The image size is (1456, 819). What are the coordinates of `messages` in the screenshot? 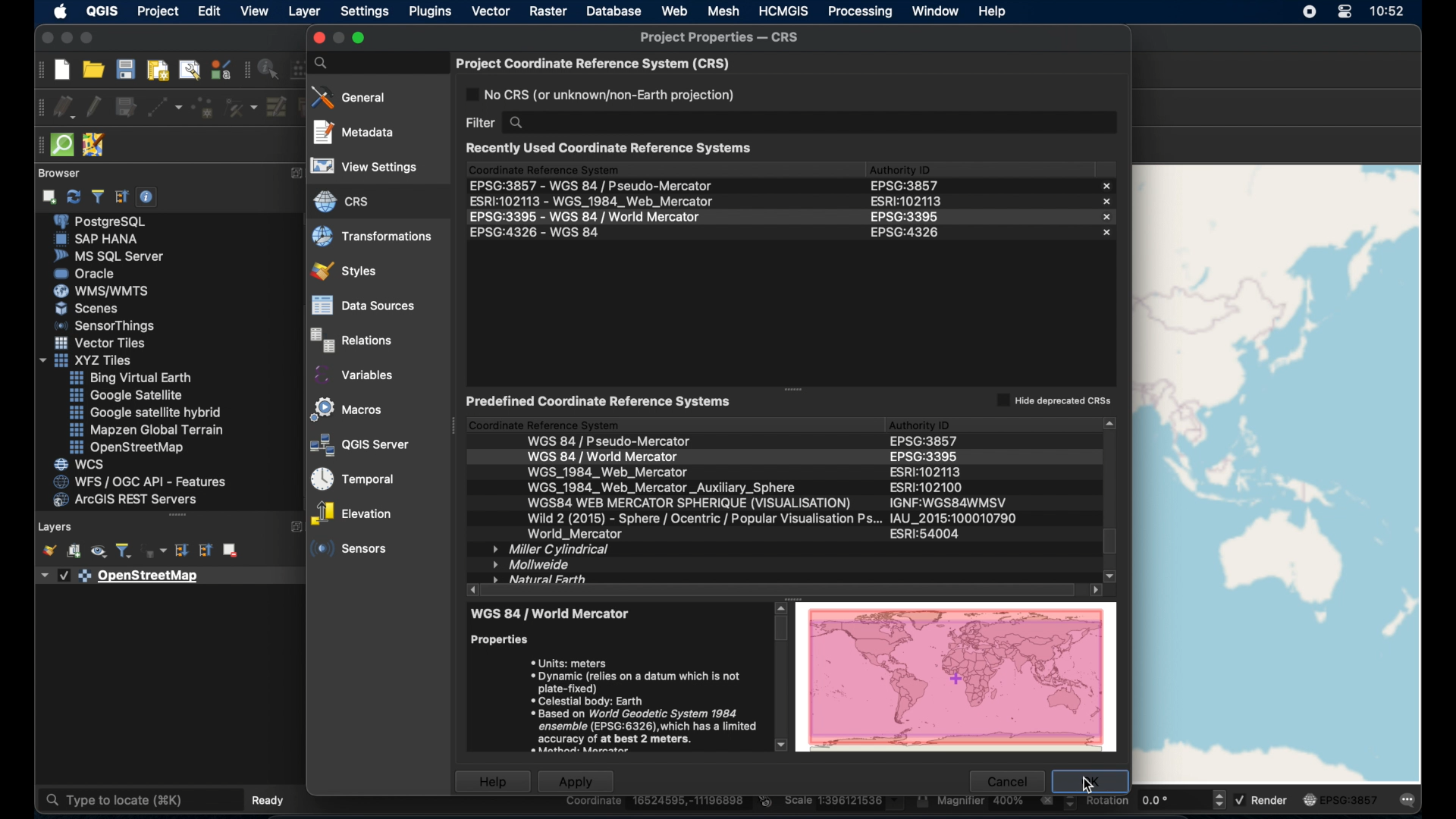 It's located at (1411, 801).